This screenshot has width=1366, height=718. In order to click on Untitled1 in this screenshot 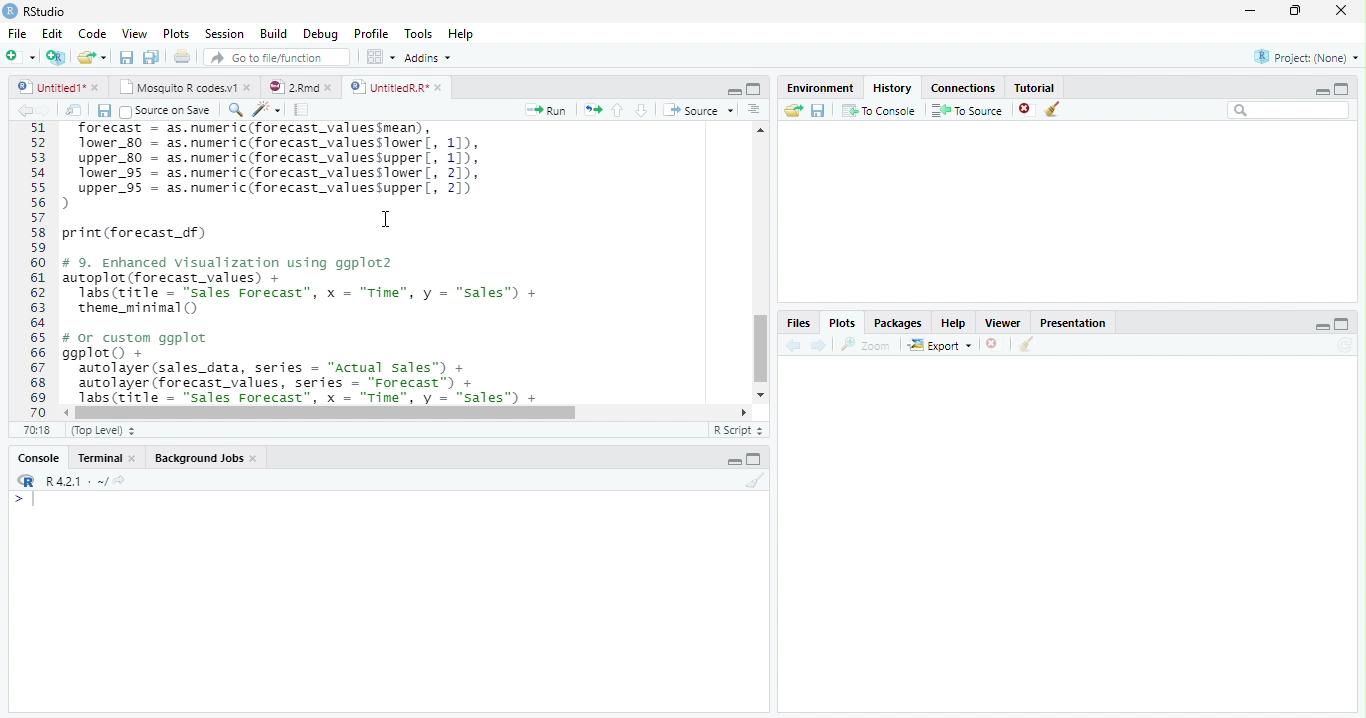, I will do `click(58, 87)`.